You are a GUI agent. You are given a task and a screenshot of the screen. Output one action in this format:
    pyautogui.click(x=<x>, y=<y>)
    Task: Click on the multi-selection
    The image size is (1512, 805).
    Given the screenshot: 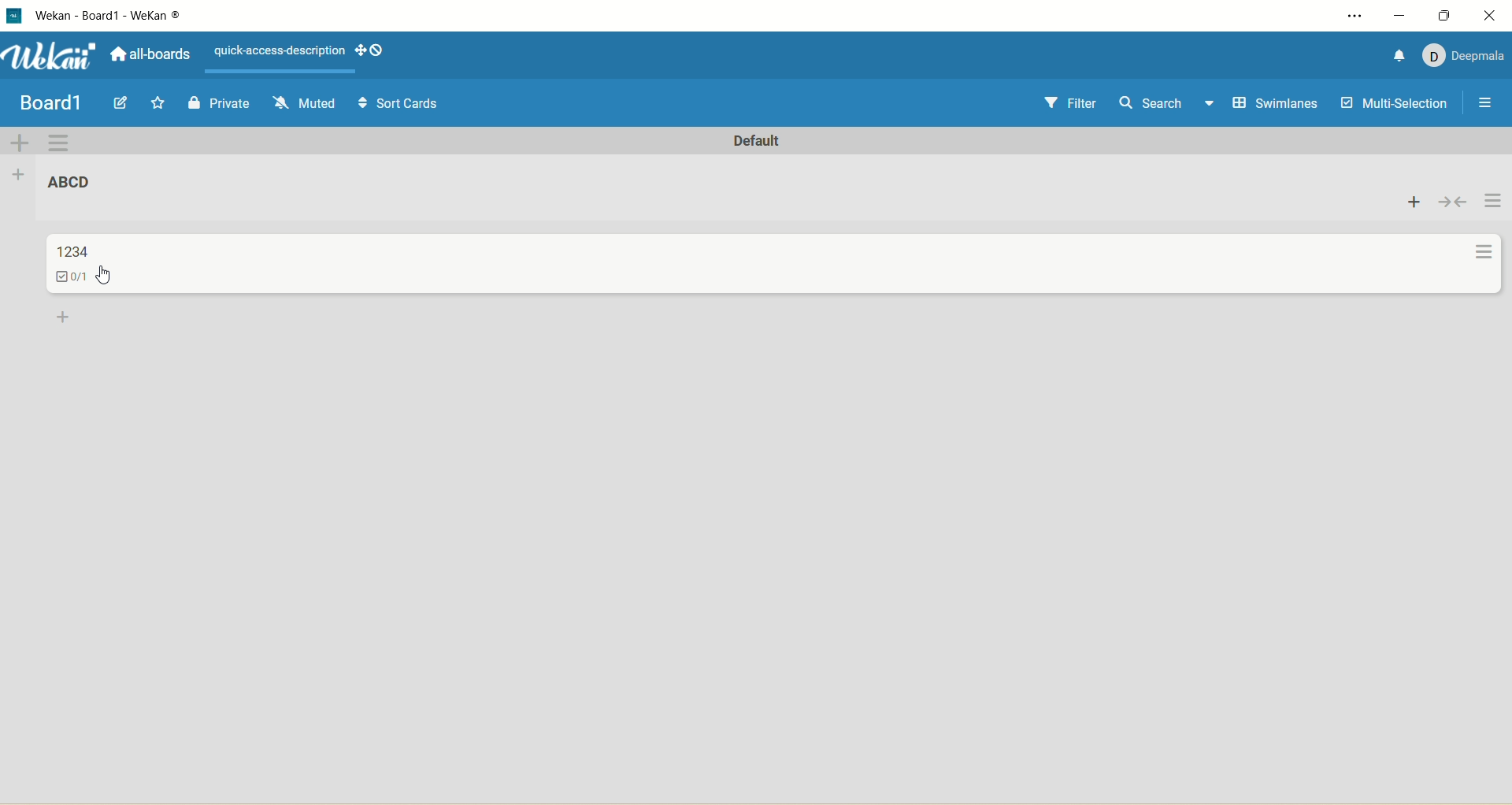 What is the action you would take?
    pyautogui.click(x=1392, y=105)
    